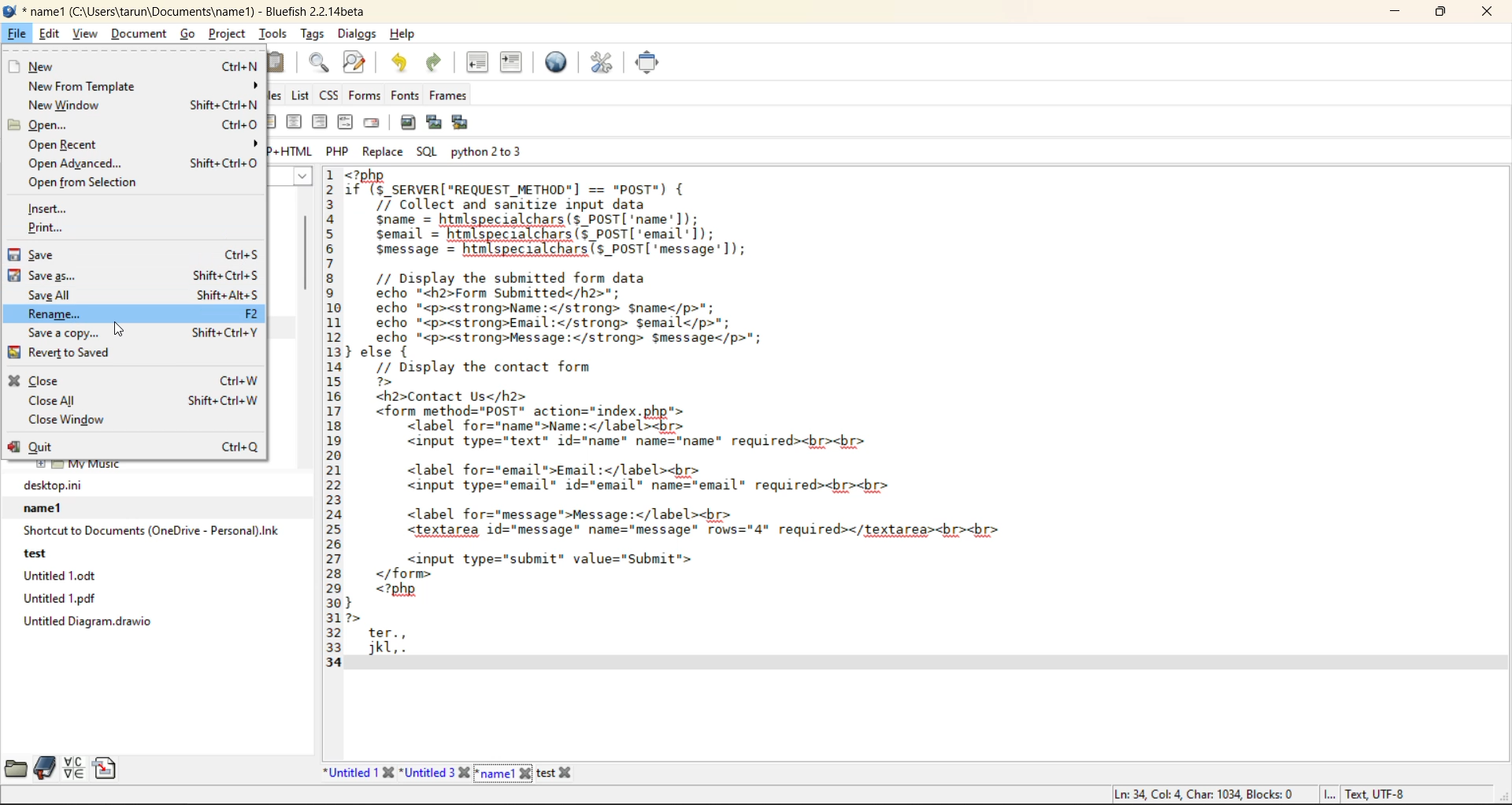  Describe the element at coordinates (137, 399) in the screenshot. I see `close all` at that location.